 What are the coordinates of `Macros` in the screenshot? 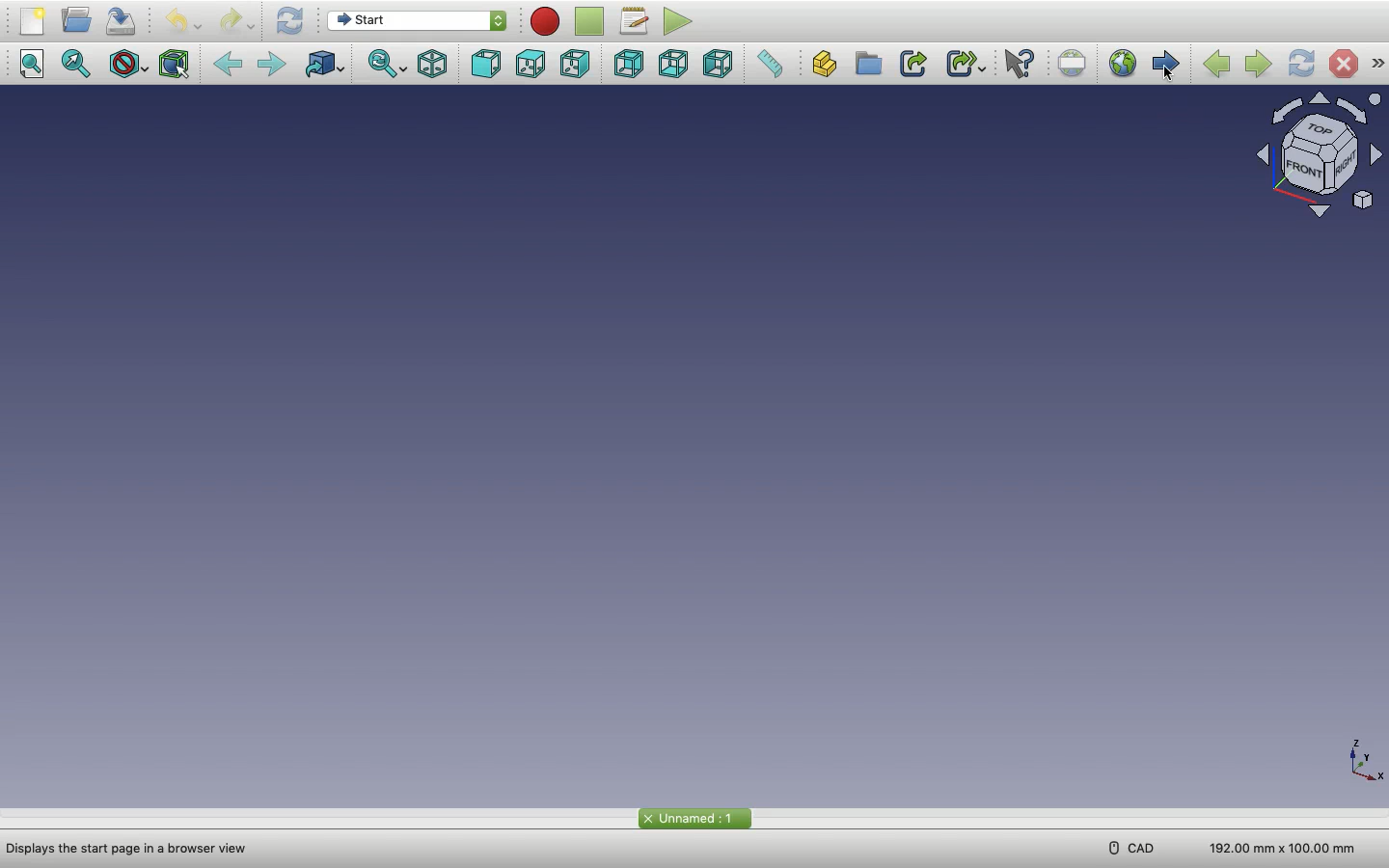 It's located at (636, 23).